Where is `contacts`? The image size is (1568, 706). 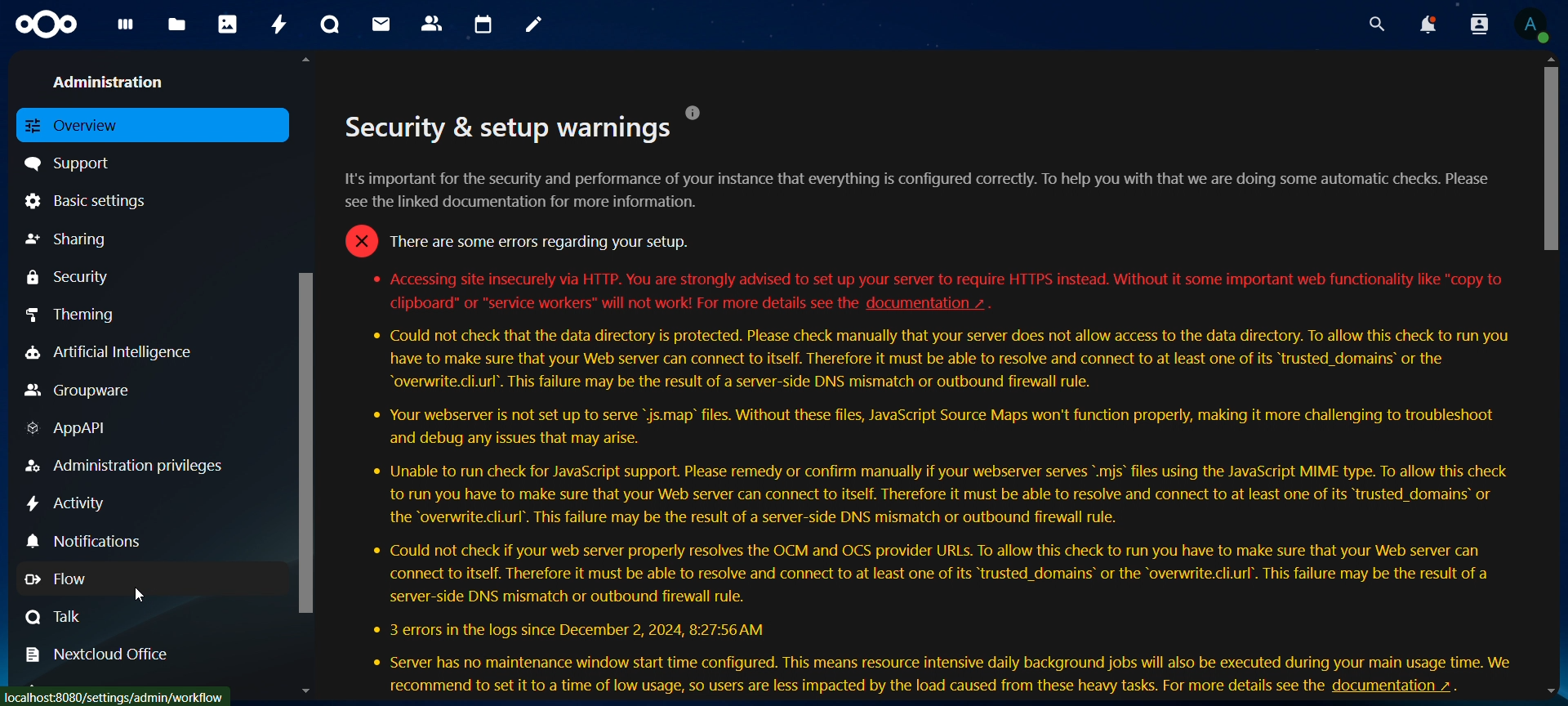 contacts is located at coordinates (433, 25).